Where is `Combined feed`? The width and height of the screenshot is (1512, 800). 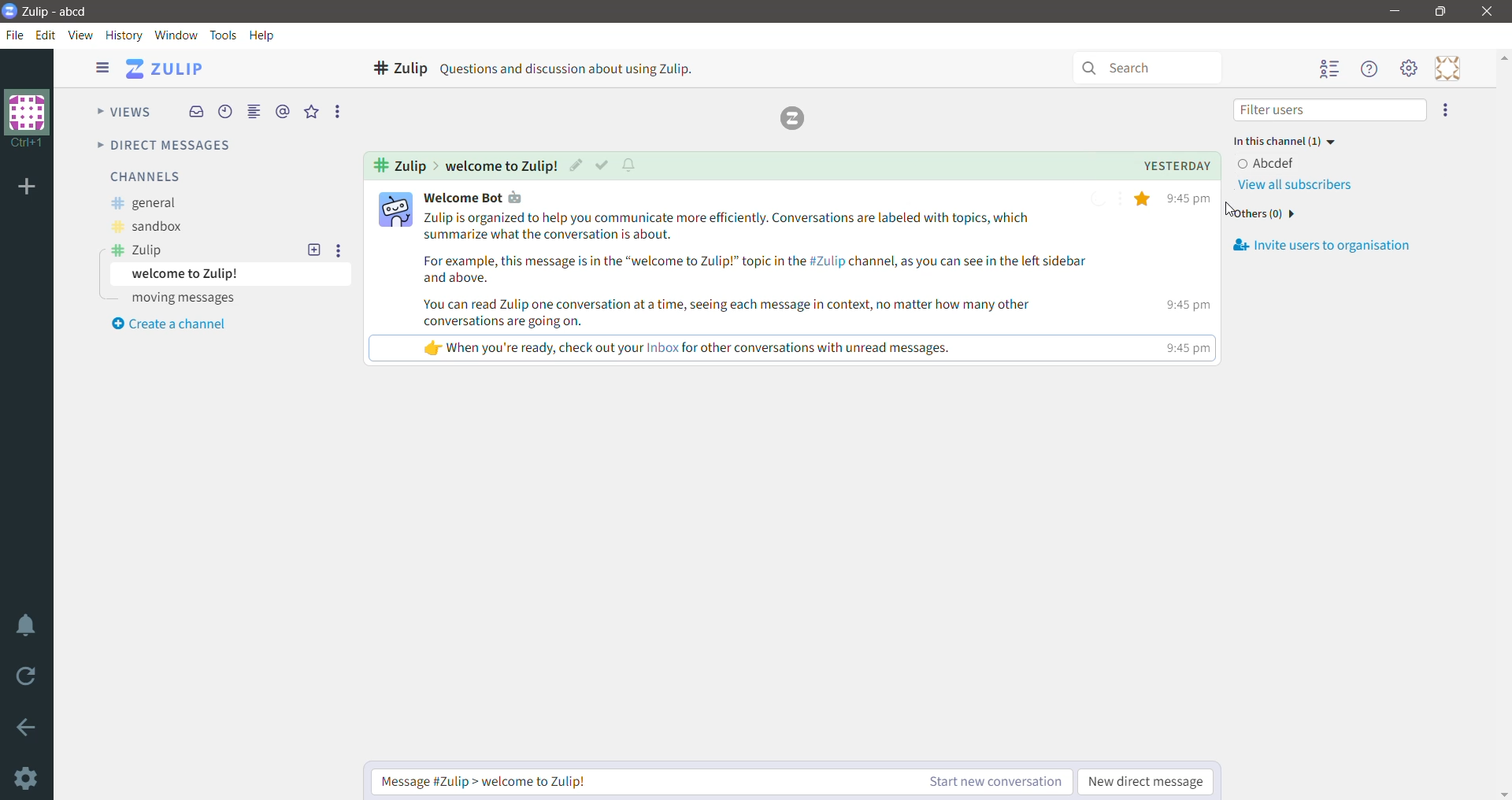
Combined feed is located at coordinates (254, 112).